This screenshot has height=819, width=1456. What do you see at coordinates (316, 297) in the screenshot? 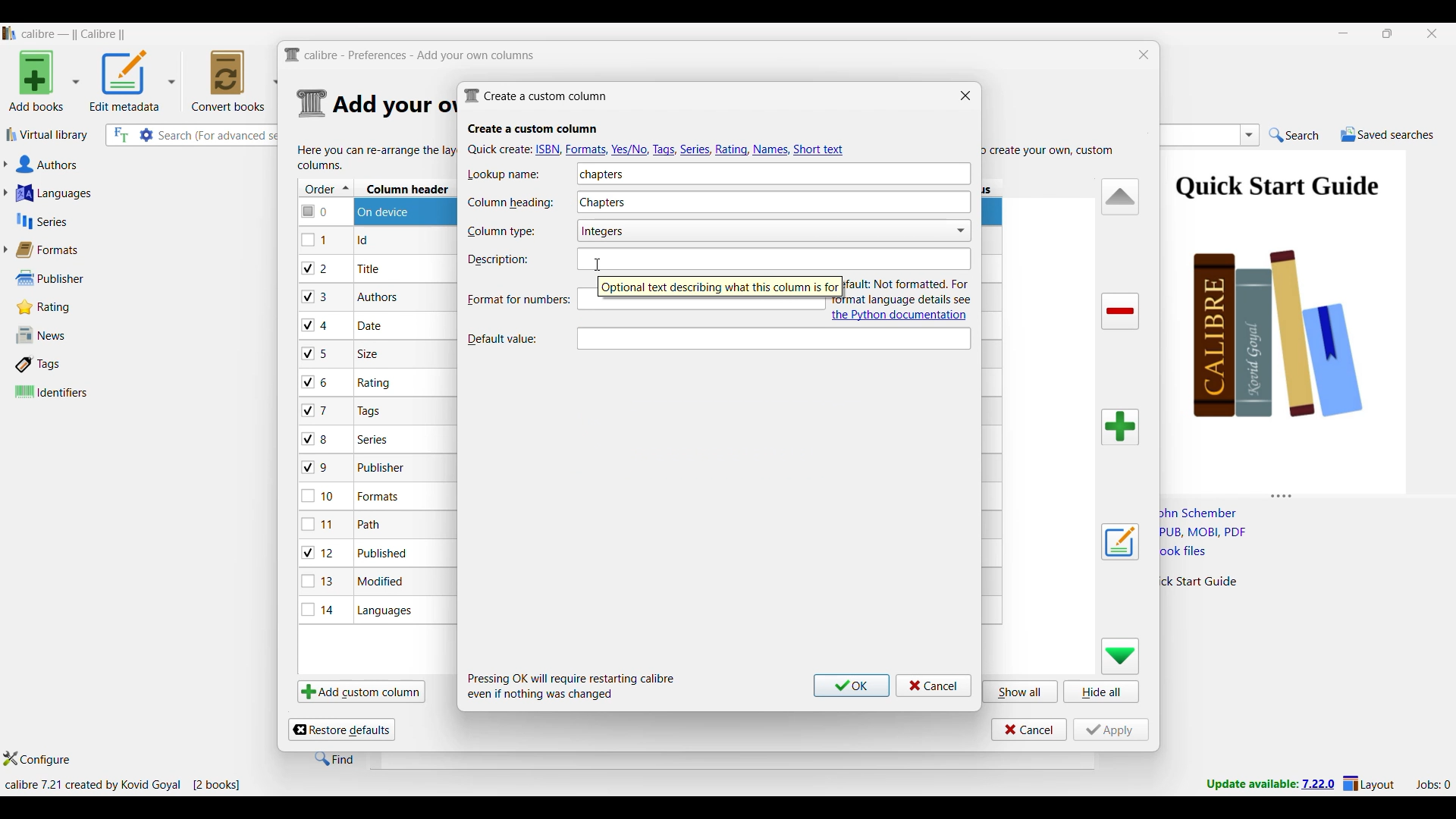
I see `checkbox - 3` at bounding box center [316, 297].